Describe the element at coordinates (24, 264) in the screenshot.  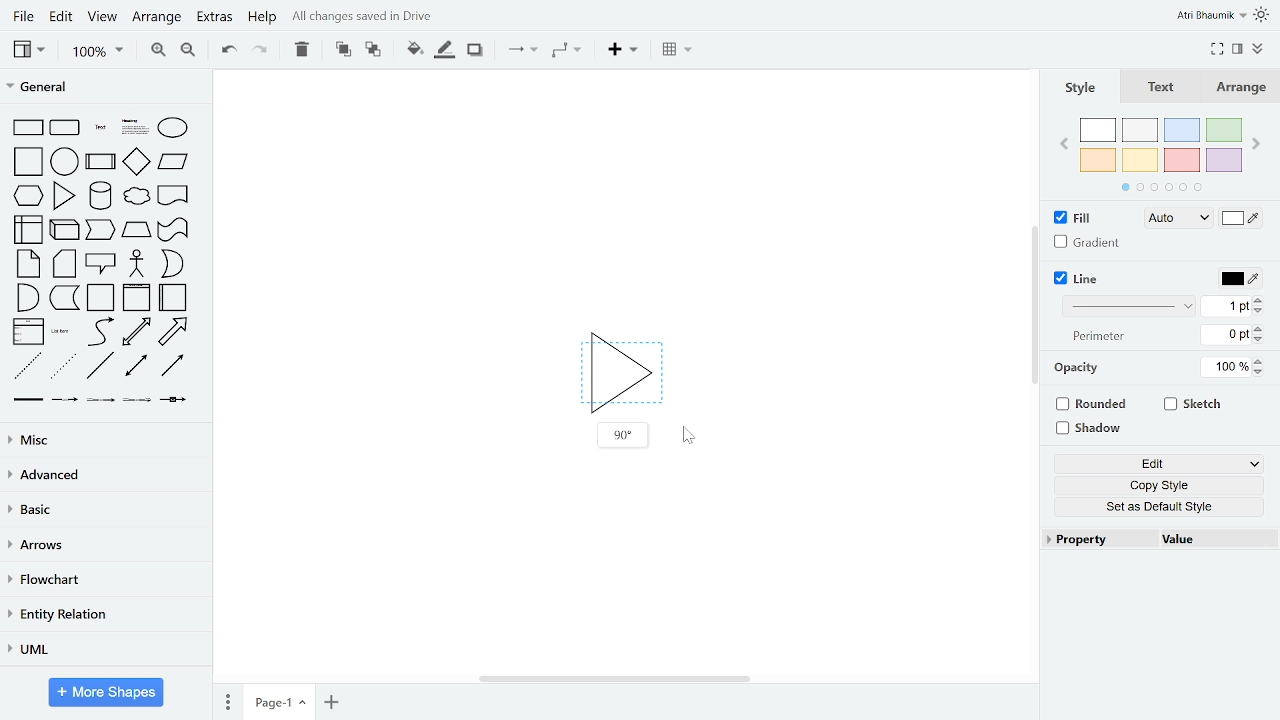
I see `note` at that location.